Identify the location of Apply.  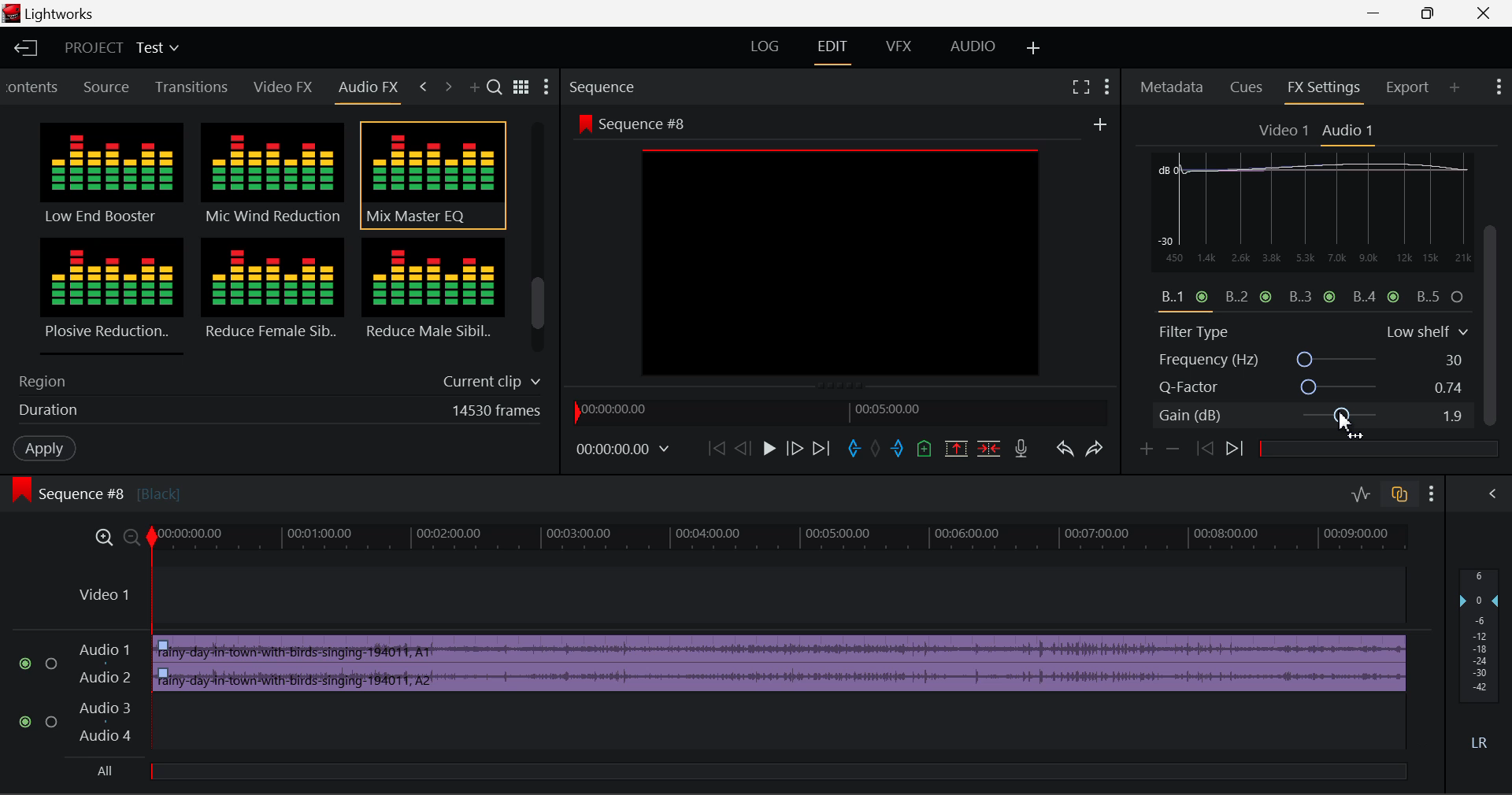
(44, 449).